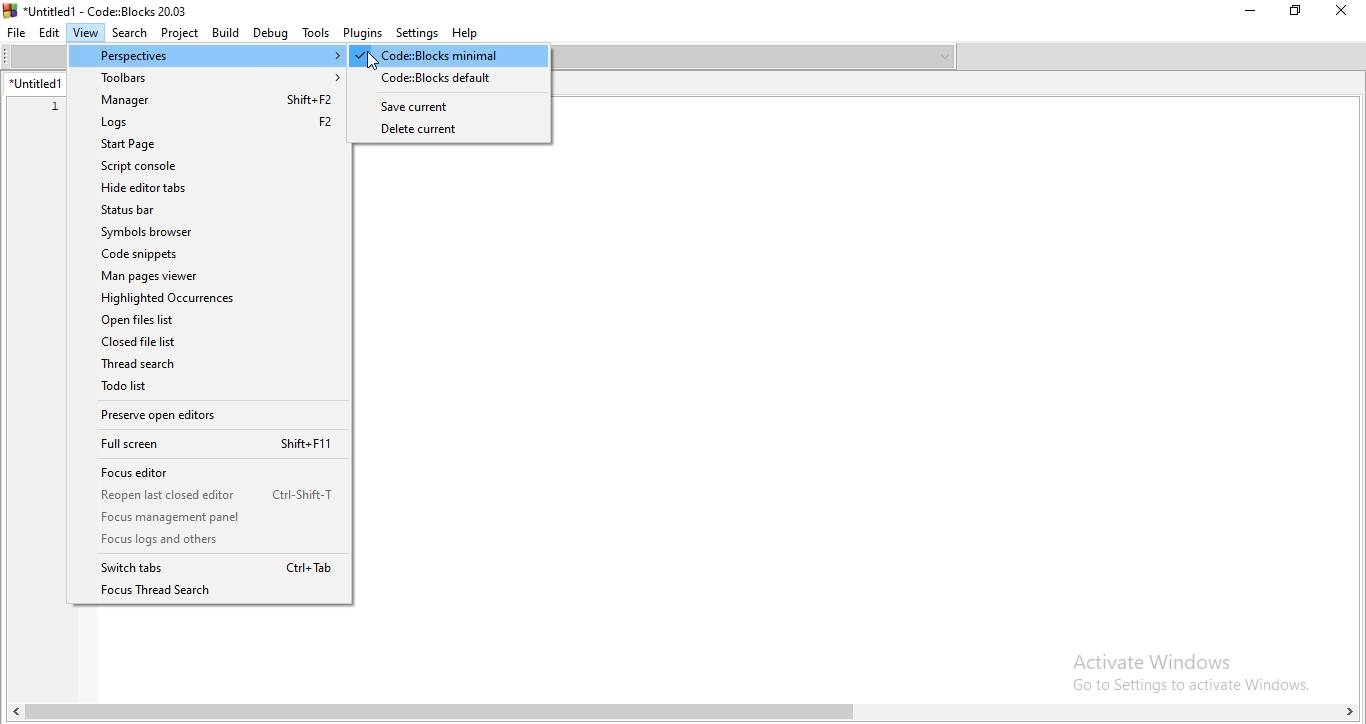 The width and height of the screenshot is (1366, 724). What do you see at coordinates (225, 33) in the screenshot?
I see `Build ` at bounding box center [225, 33].